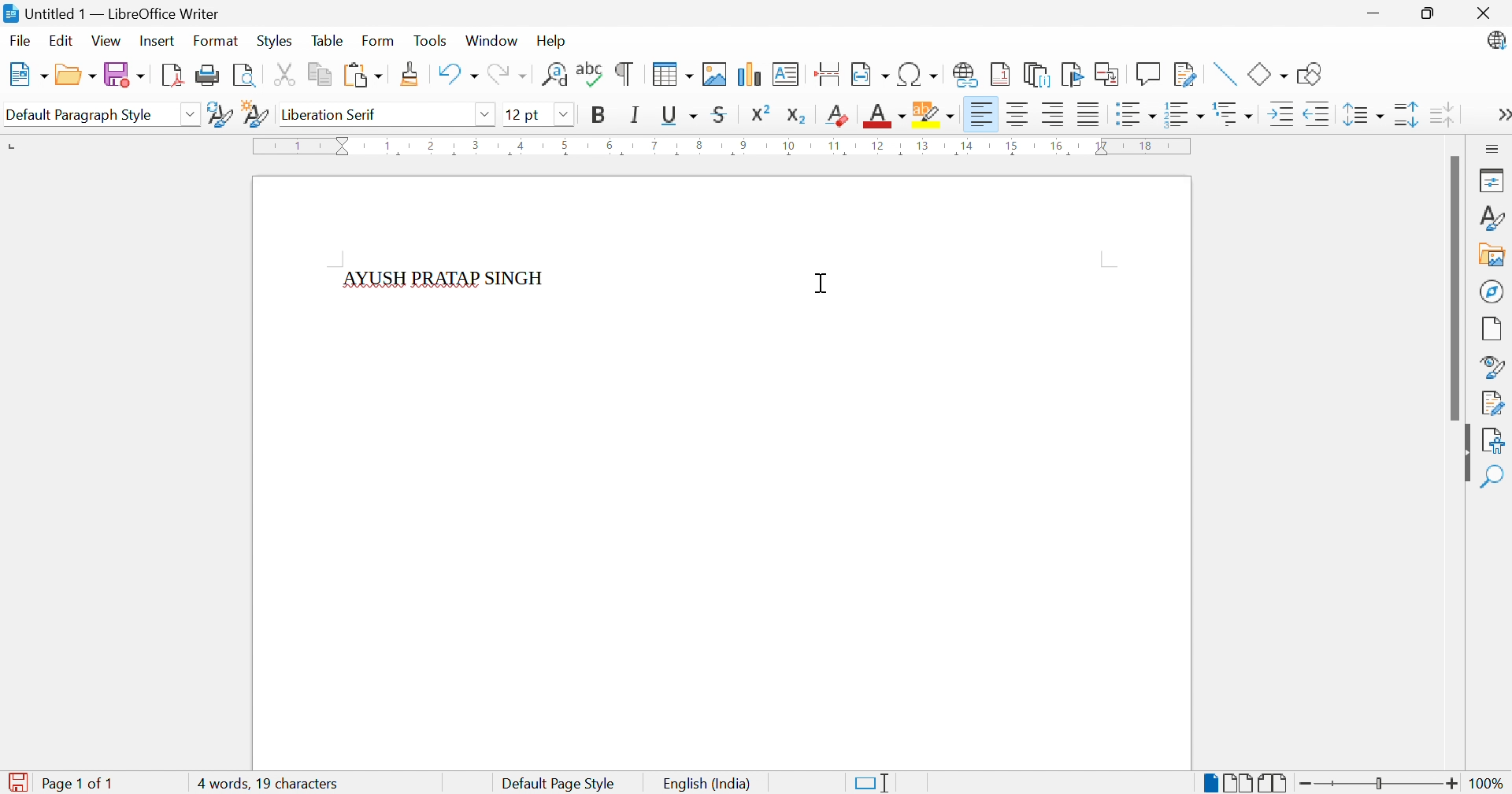 The image size is (1512, 794). Describe the element at coordinates (869, 74) in the screenshot. I see `Insert Field` at that location.